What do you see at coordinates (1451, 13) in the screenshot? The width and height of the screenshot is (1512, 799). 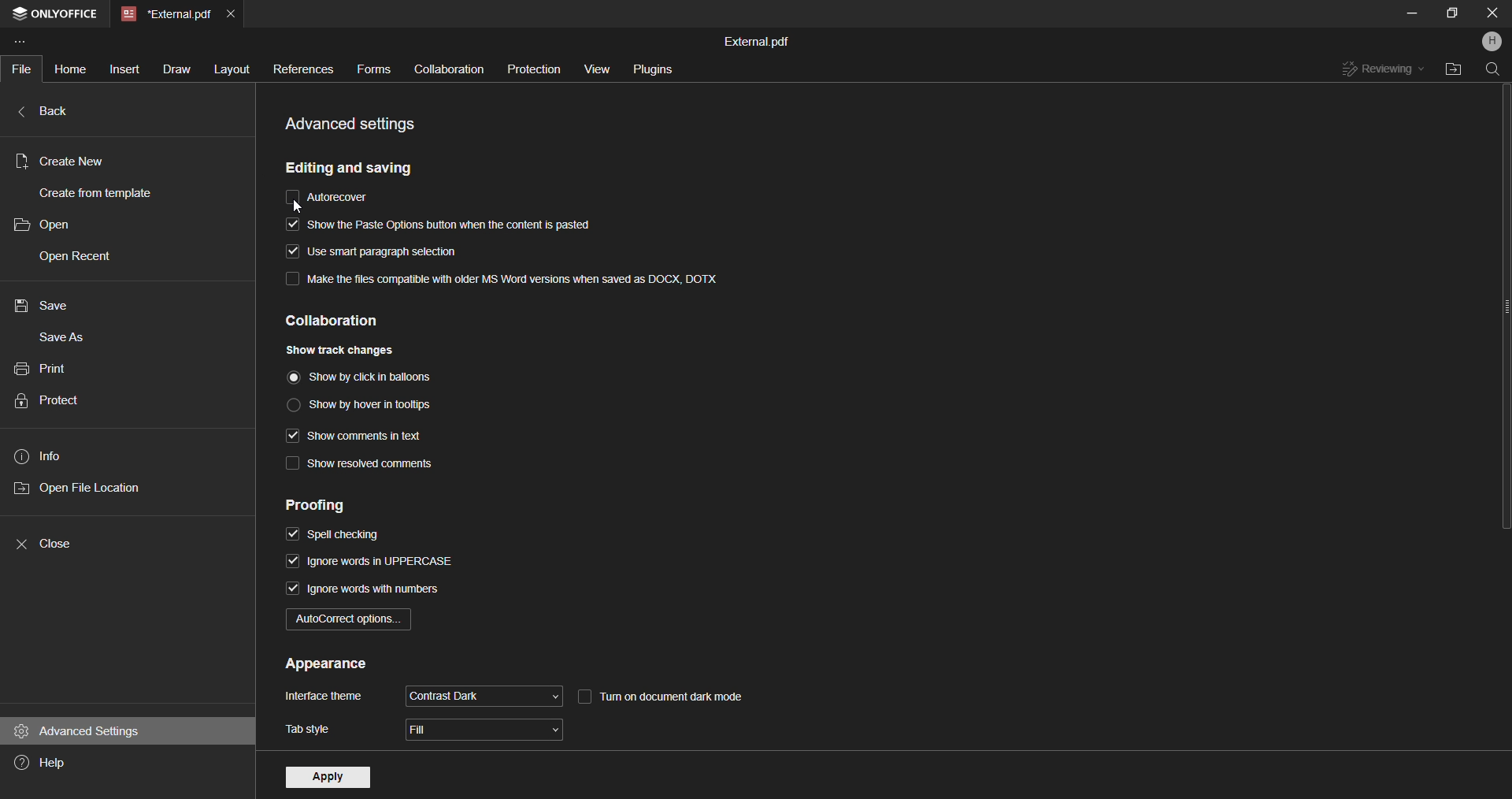 I see `Maximize` at bounding box center [1451, 13].